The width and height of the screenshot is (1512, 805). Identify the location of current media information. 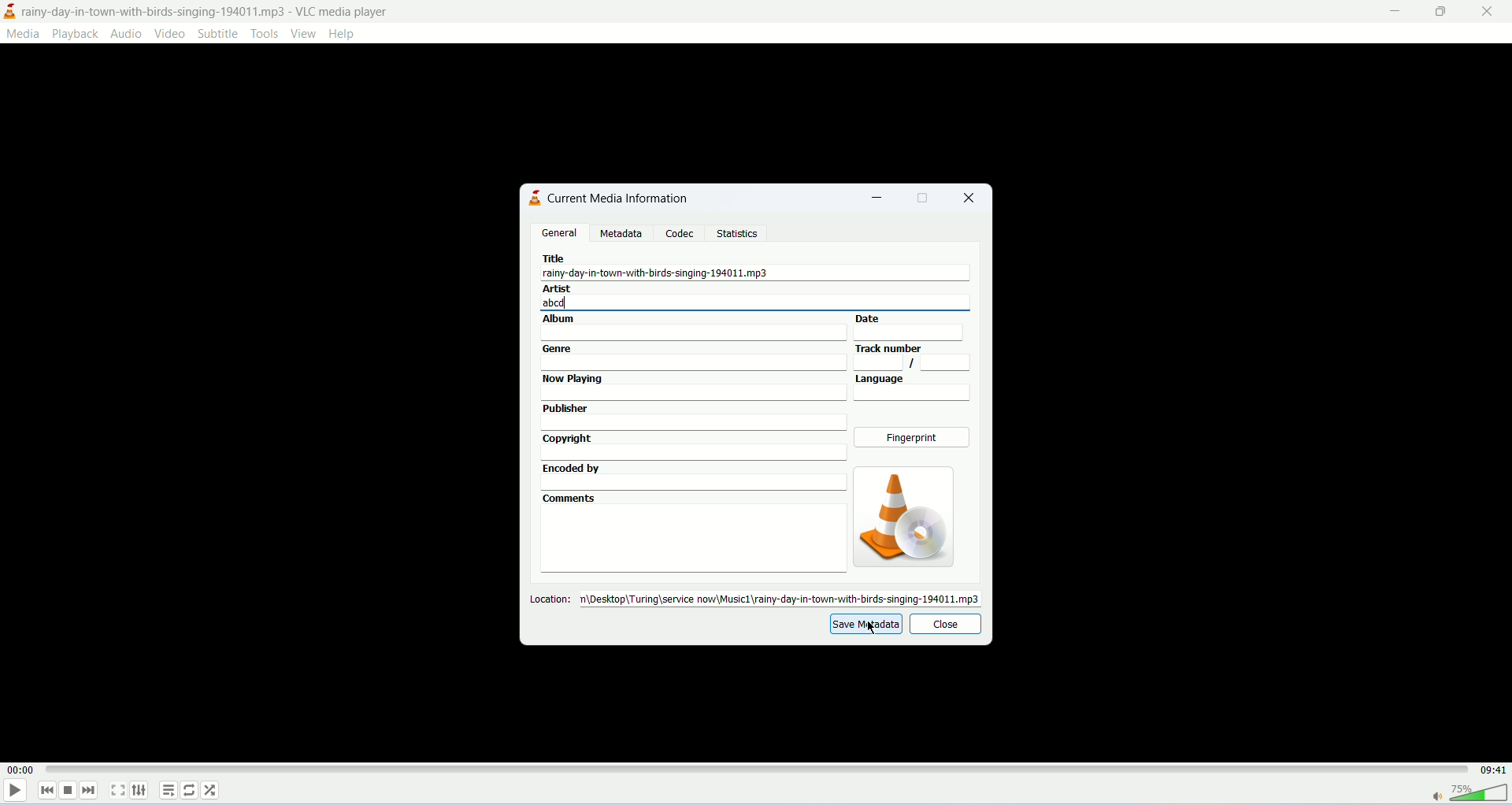
(618, 198).